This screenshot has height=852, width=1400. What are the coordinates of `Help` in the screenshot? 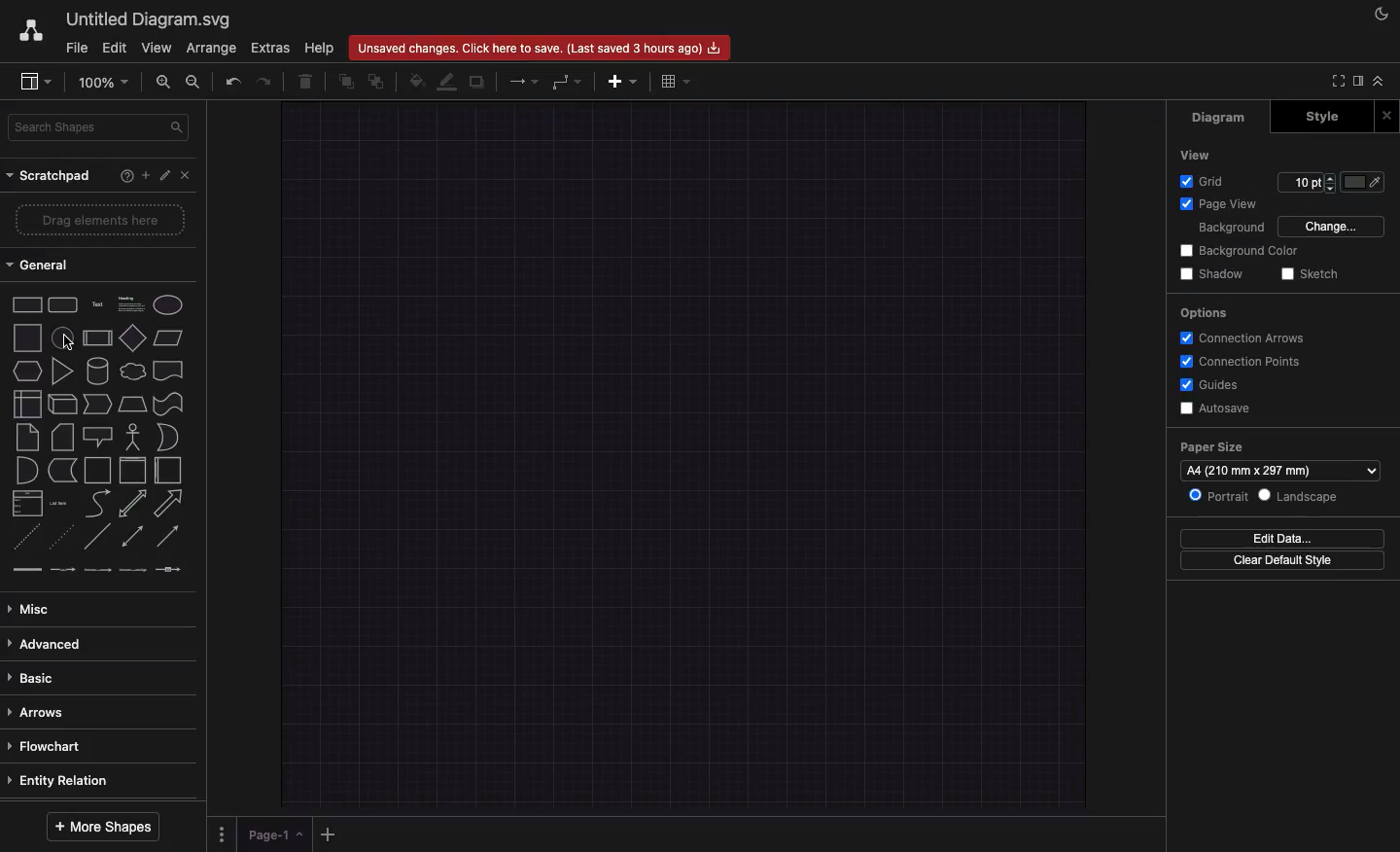 It's located at (123, 178).